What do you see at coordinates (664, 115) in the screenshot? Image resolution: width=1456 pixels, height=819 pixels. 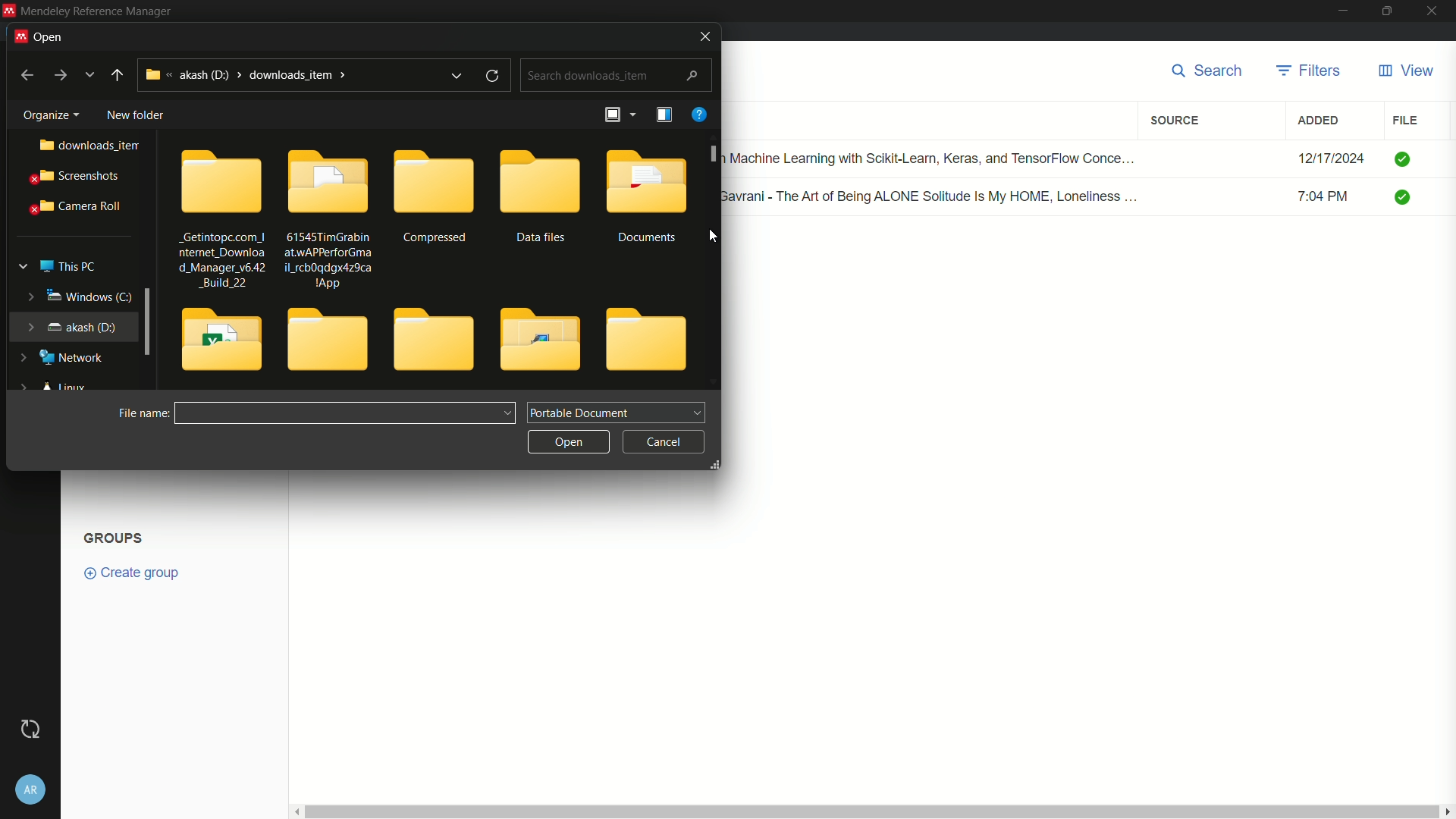 I see `details` at bounding box center [664, 115].